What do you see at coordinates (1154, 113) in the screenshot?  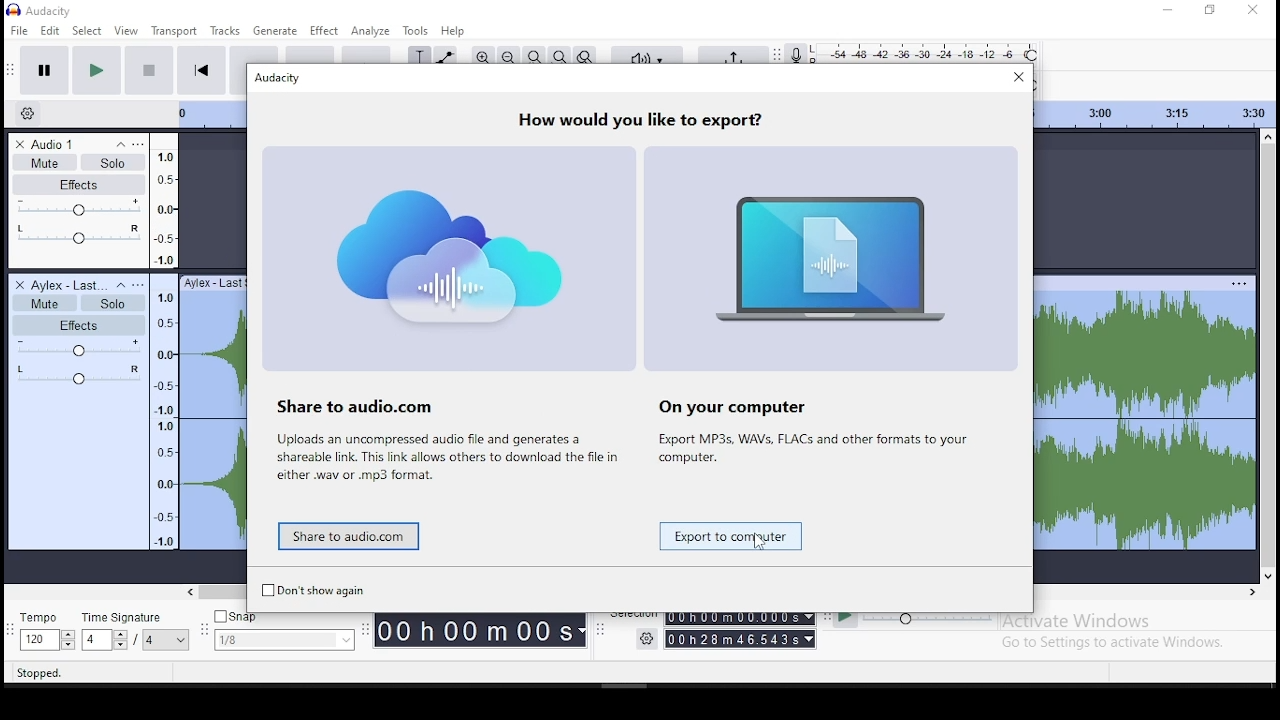 I see `timeline` at bounding box center [1154, 113].